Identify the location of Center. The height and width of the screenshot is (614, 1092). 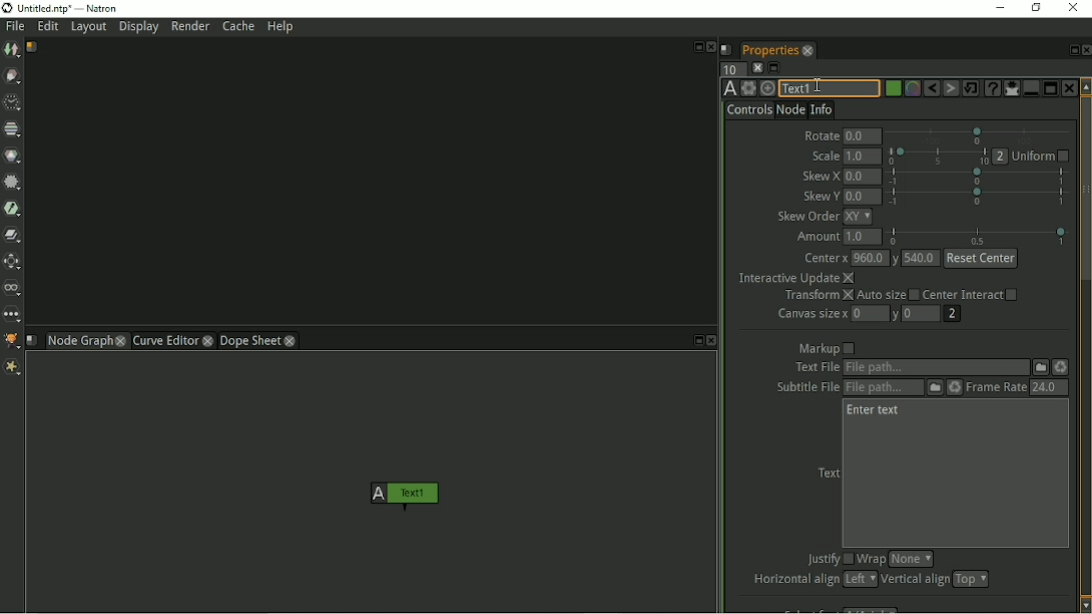
(825, 259).